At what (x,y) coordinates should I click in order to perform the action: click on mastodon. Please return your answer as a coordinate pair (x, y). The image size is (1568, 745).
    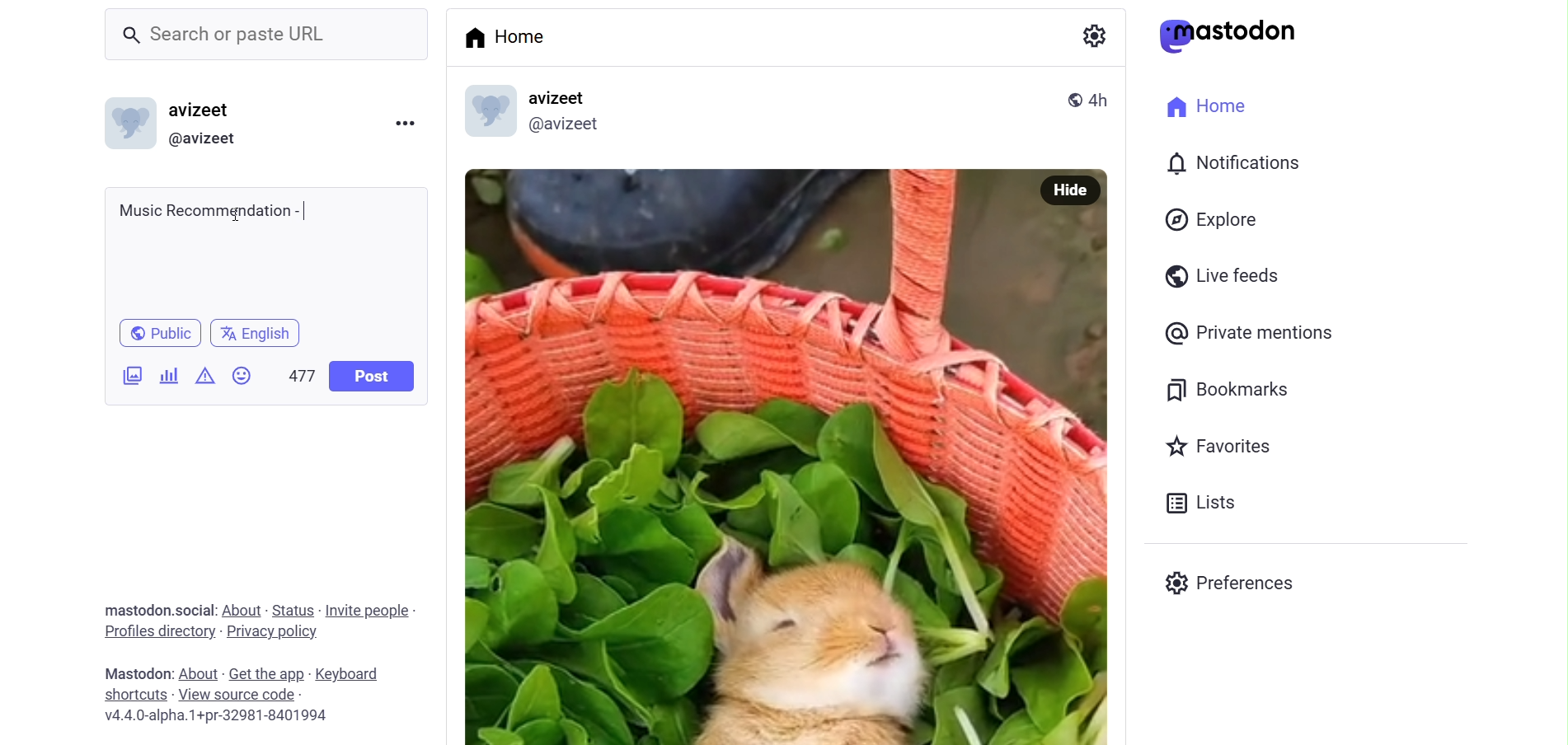
    Looking at the image, I should click on (133, 608).